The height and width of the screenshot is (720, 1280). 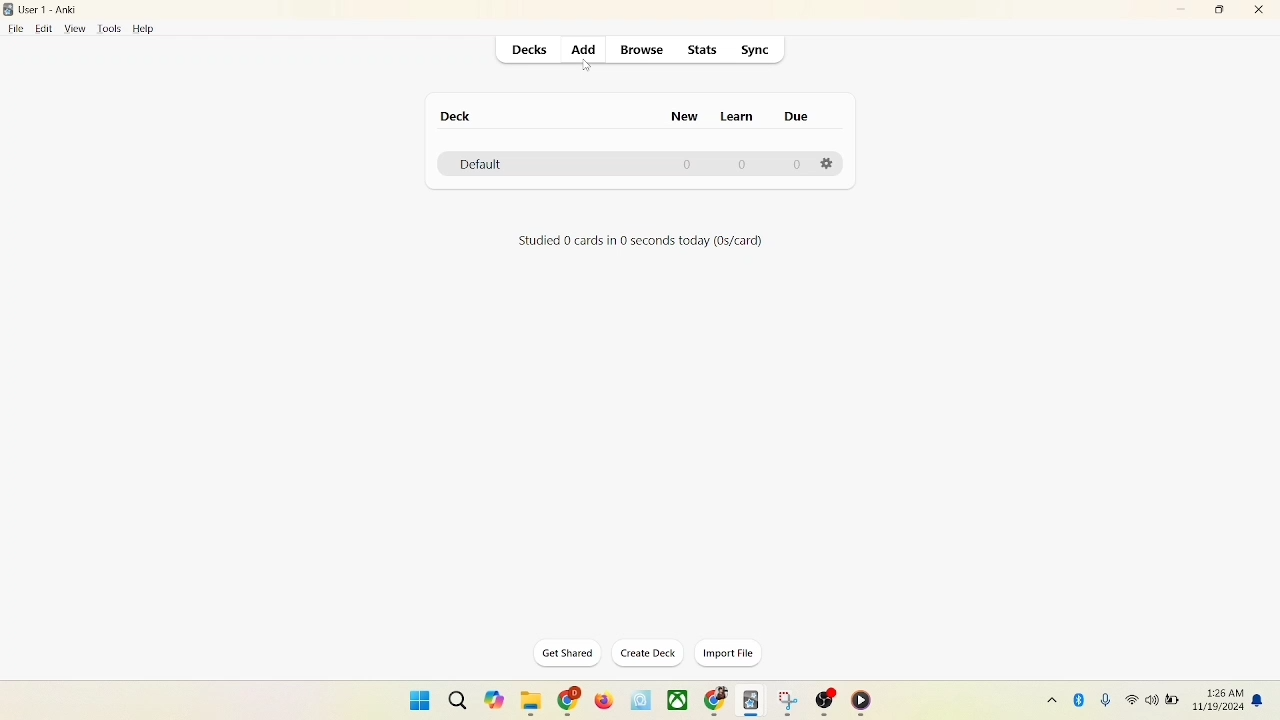 I want to click on create deck, so click(x=644, y=654).